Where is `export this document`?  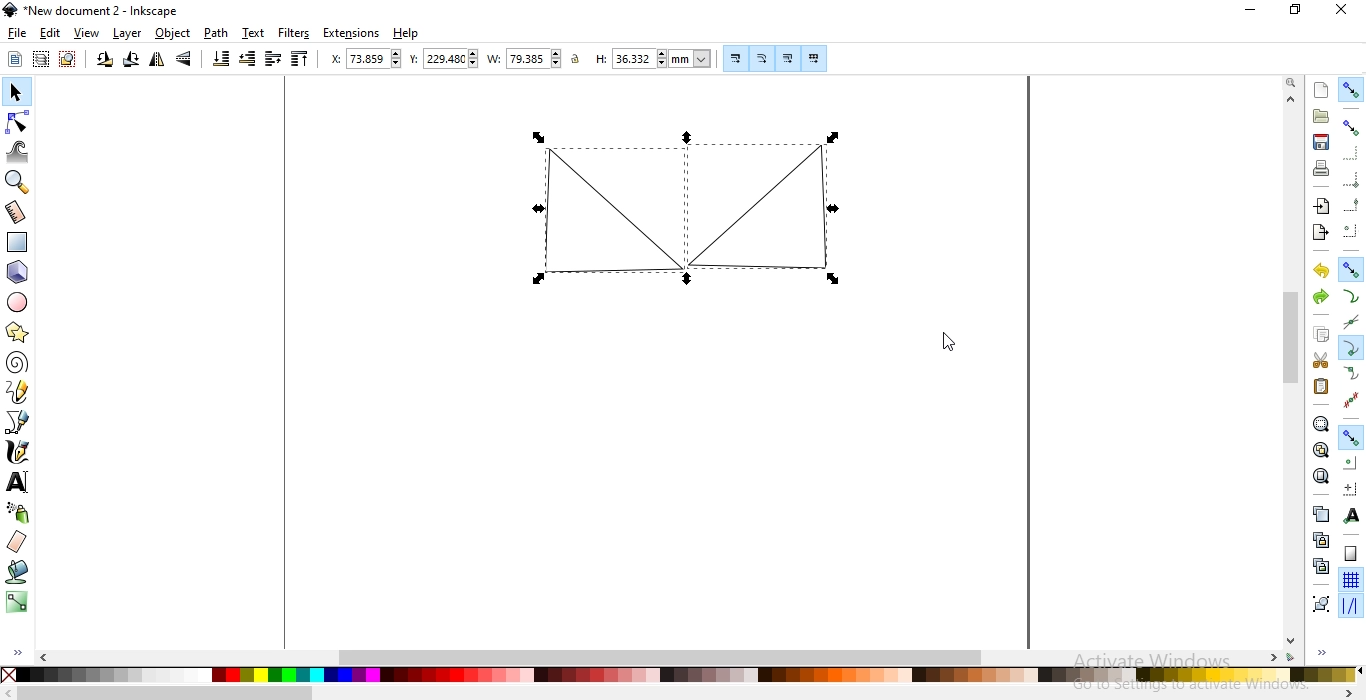 export this document is located at coordinates (1320, 231).